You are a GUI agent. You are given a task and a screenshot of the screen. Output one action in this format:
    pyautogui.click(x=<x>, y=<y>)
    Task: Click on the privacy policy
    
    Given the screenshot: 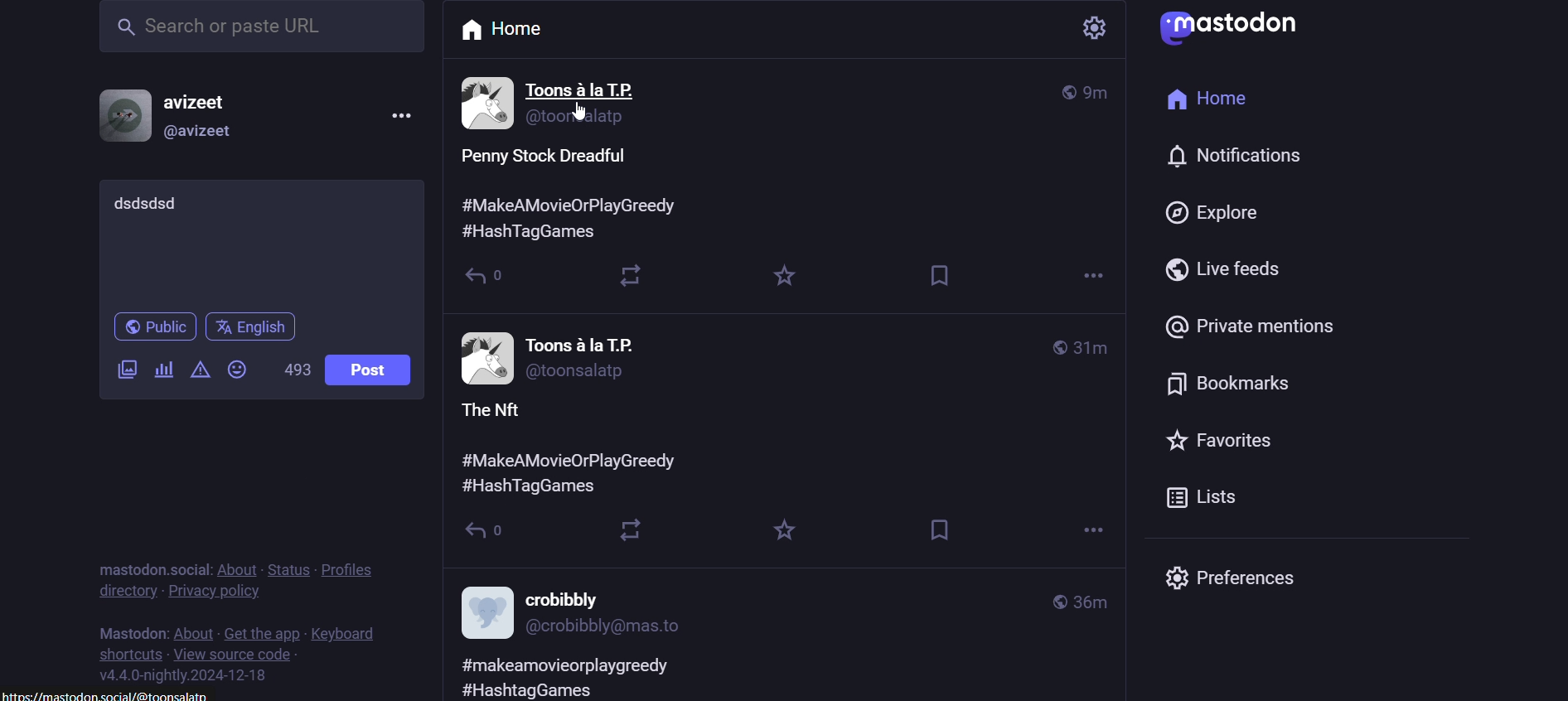 What is the action you would take?
    pyautogui.click(x=228, y=592)
    